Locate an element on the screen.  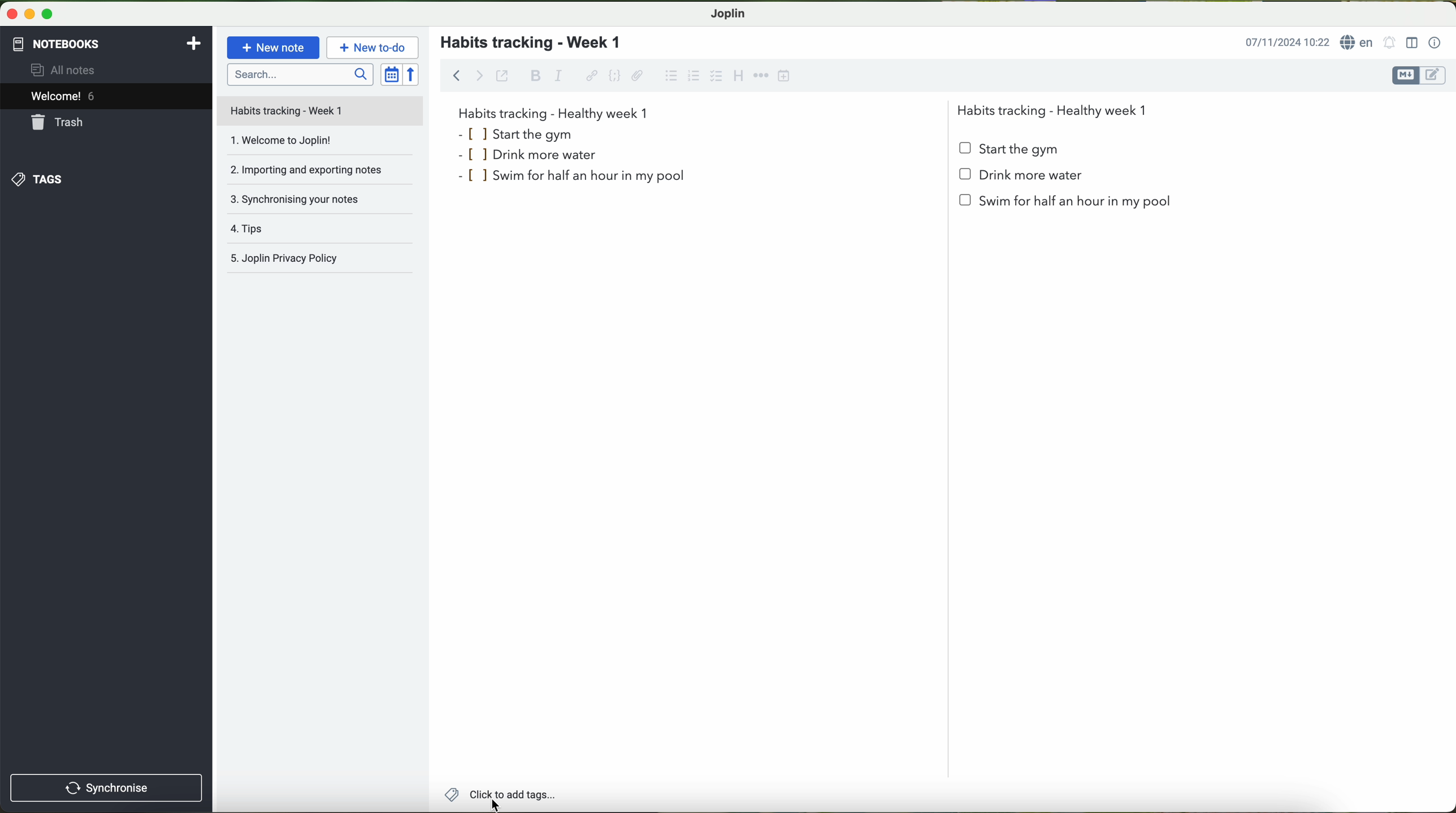
italic is located at coordinates (558, 75).